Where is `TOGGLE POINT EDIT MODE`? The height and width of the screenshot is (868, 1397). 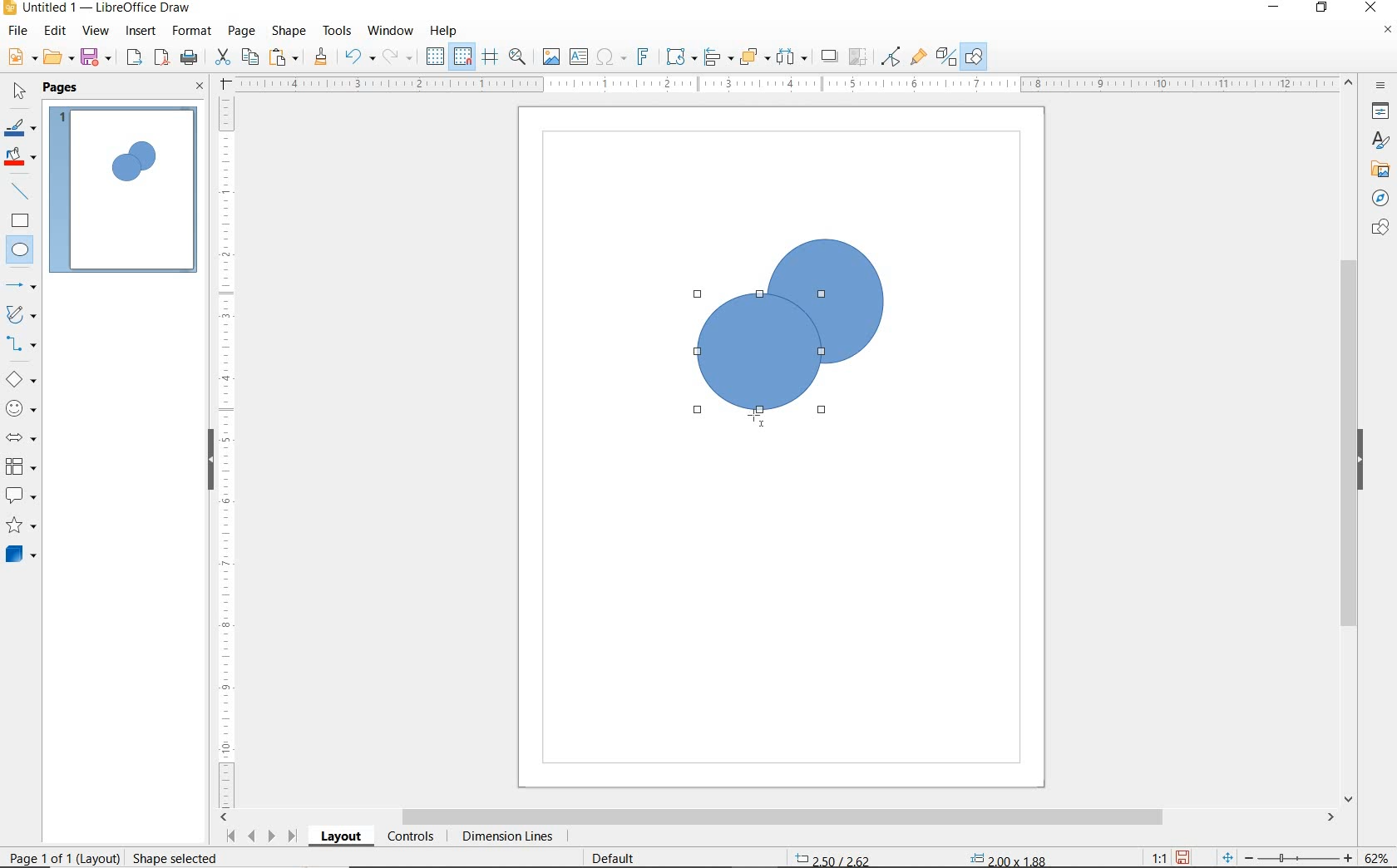
TOGGLE POINT EDIT MODE is located at coordinates (891, 57).